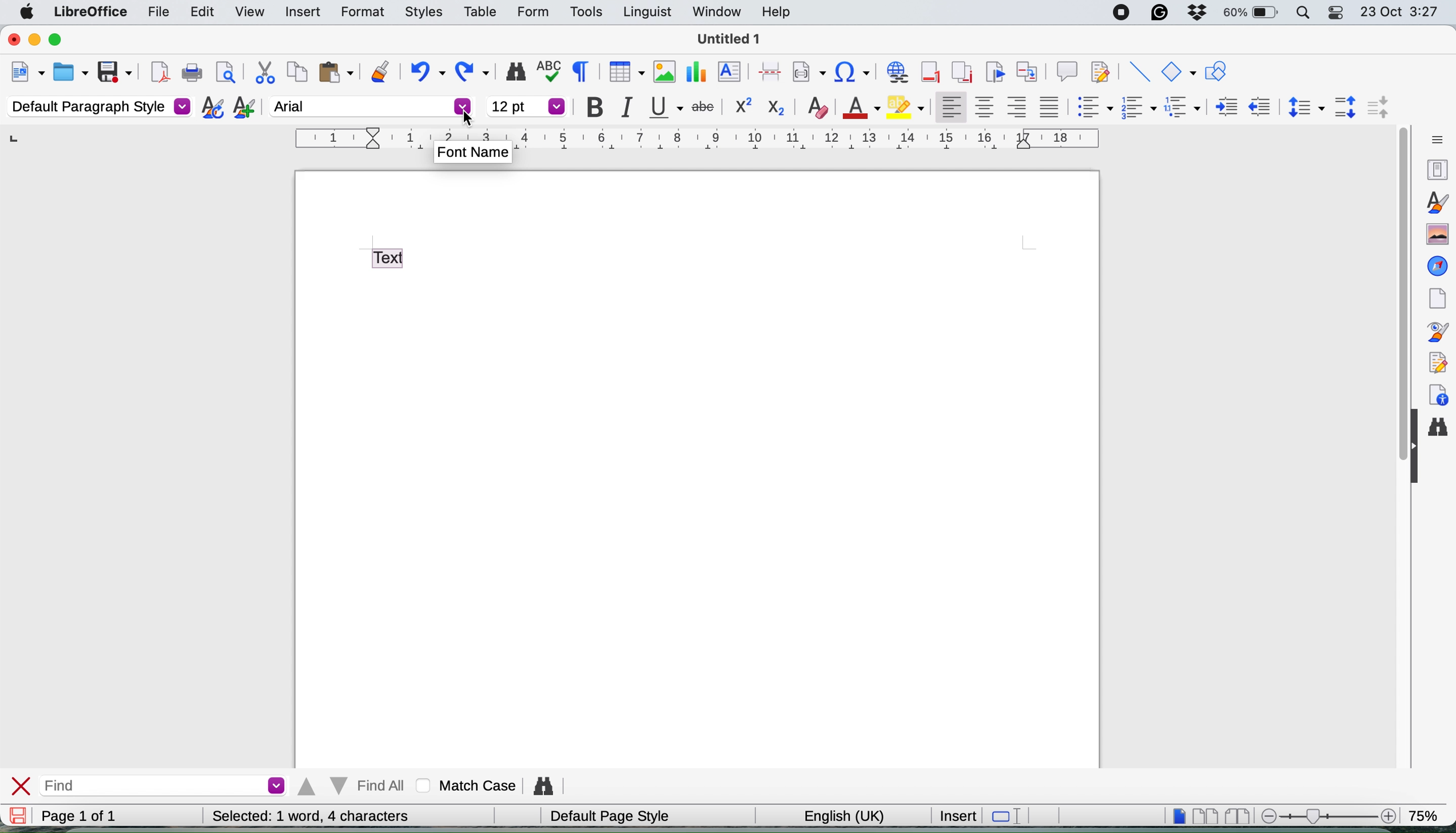  Describe the element at coordinates (994, 73) in the screenshot. I see `insert bookmark` at that location.